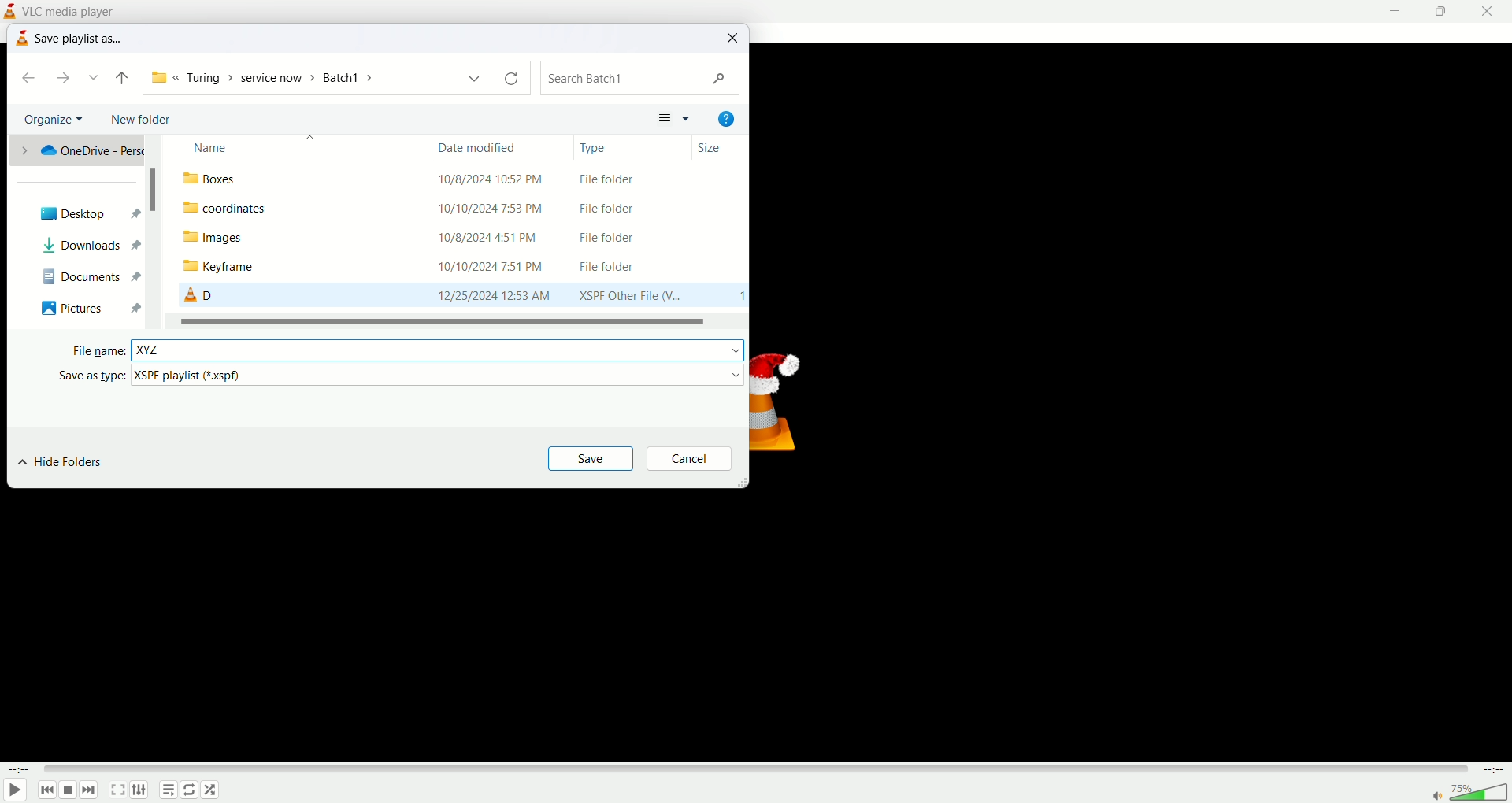  Describe the element at coordinates (91, 791) in the screenshot. I see `next` at that location.